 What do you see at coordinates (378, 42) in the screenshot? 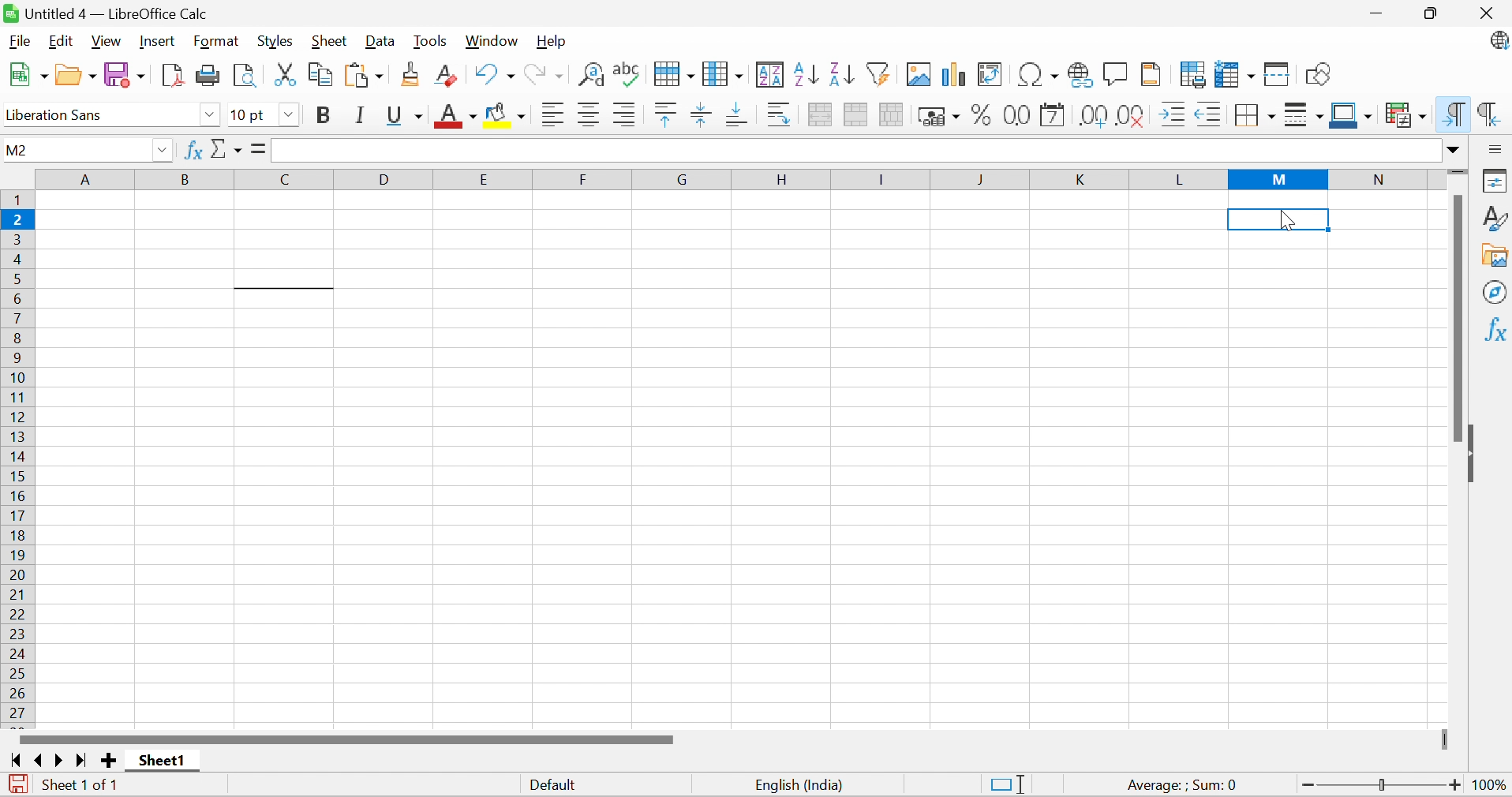
I see `Data` at bounding box center [378, 42].